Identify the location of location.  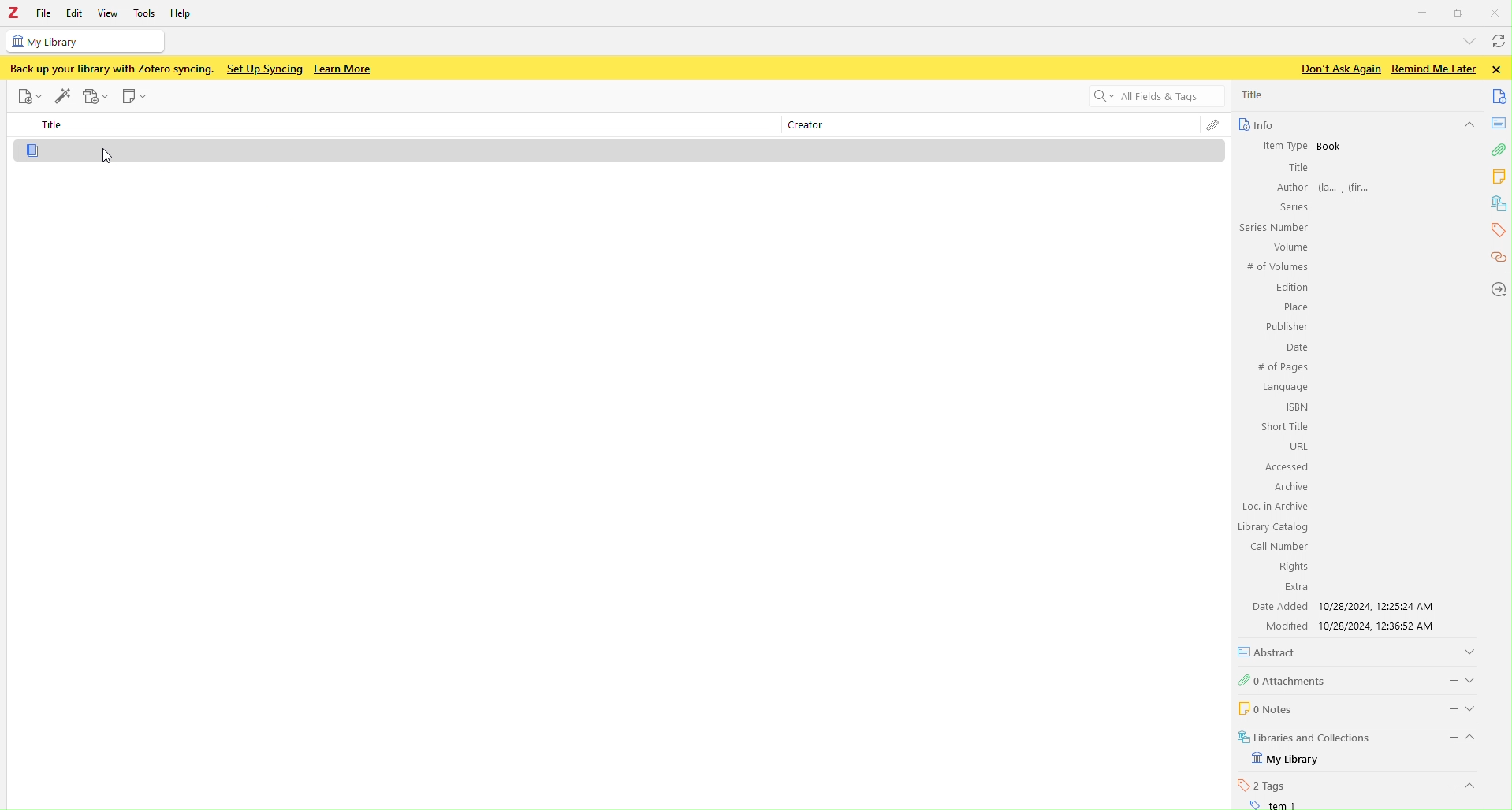
(1497, 288).